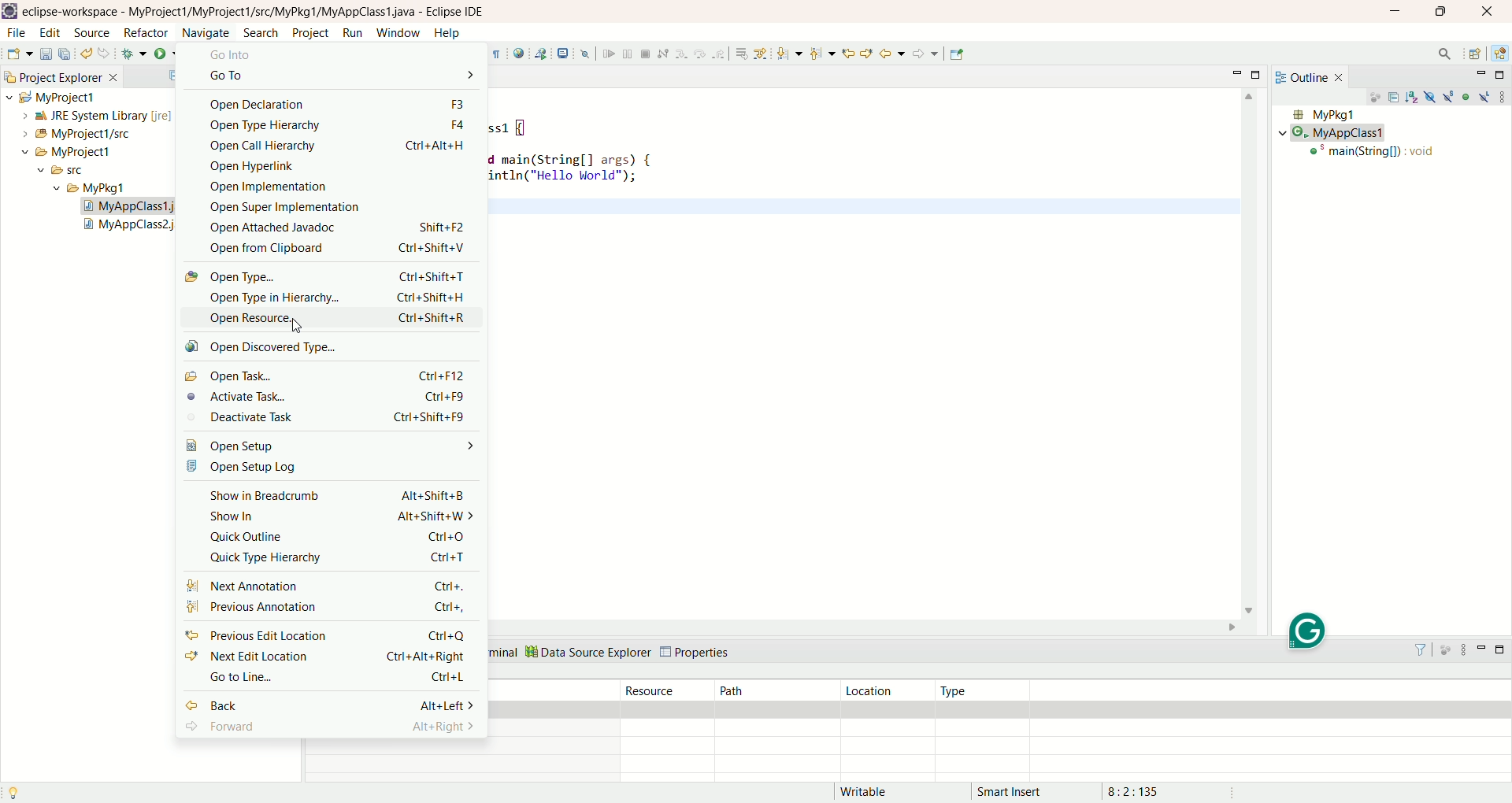 The width and height of the screenshot is (1512, 803). Describe the element at coordinates (262, 32) in the screenshot. I see `search` at that location.